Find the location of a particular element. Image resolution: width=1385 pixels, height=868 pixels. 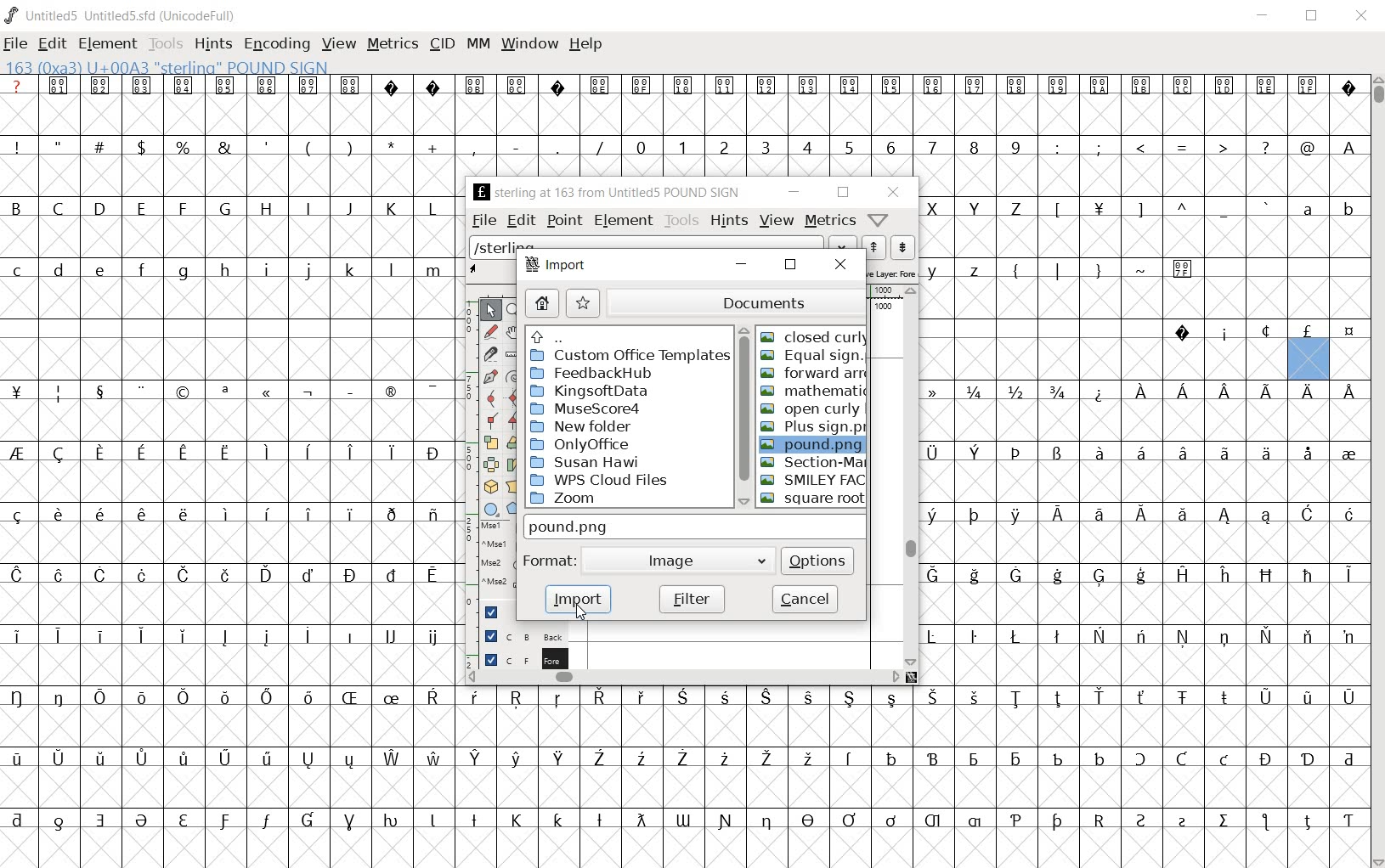

{ is located at coordinates (1015, 270).